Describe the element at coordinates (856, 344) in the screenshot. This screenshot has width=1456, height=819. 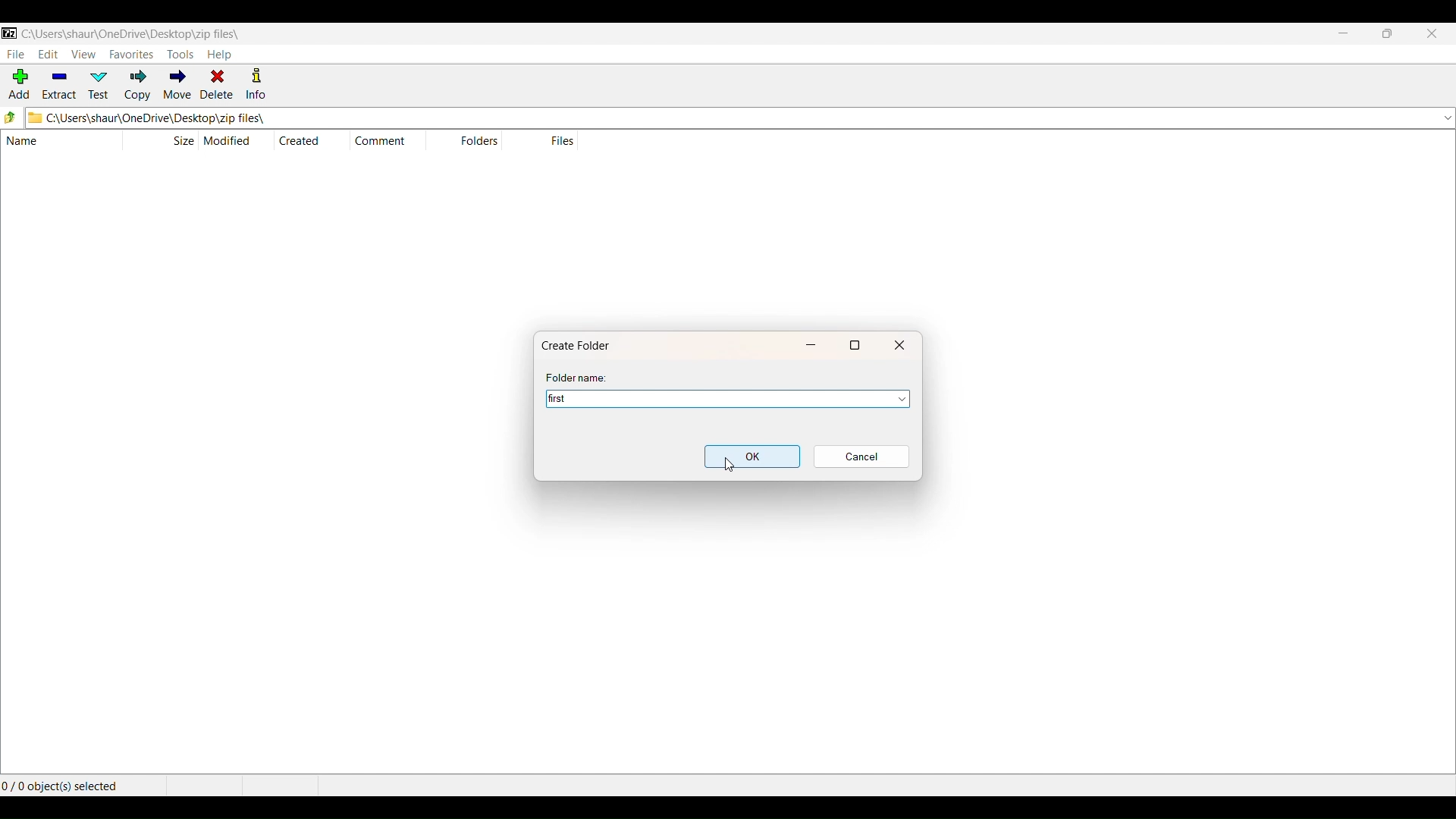
I see `maximize` at that location.